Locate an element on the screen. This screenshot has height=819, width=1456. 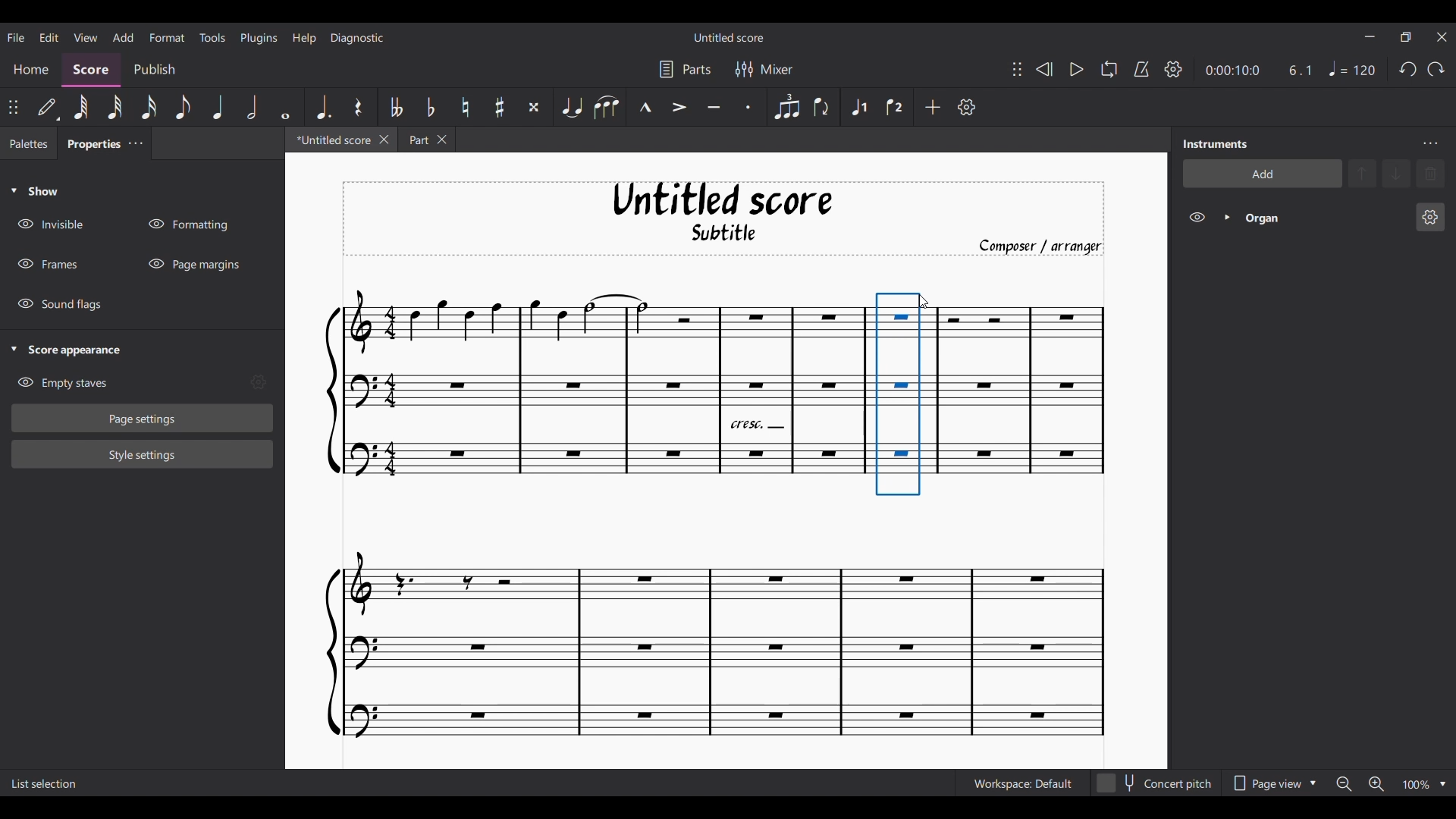
Hide Sound flags is located at coordinates (58, 305).